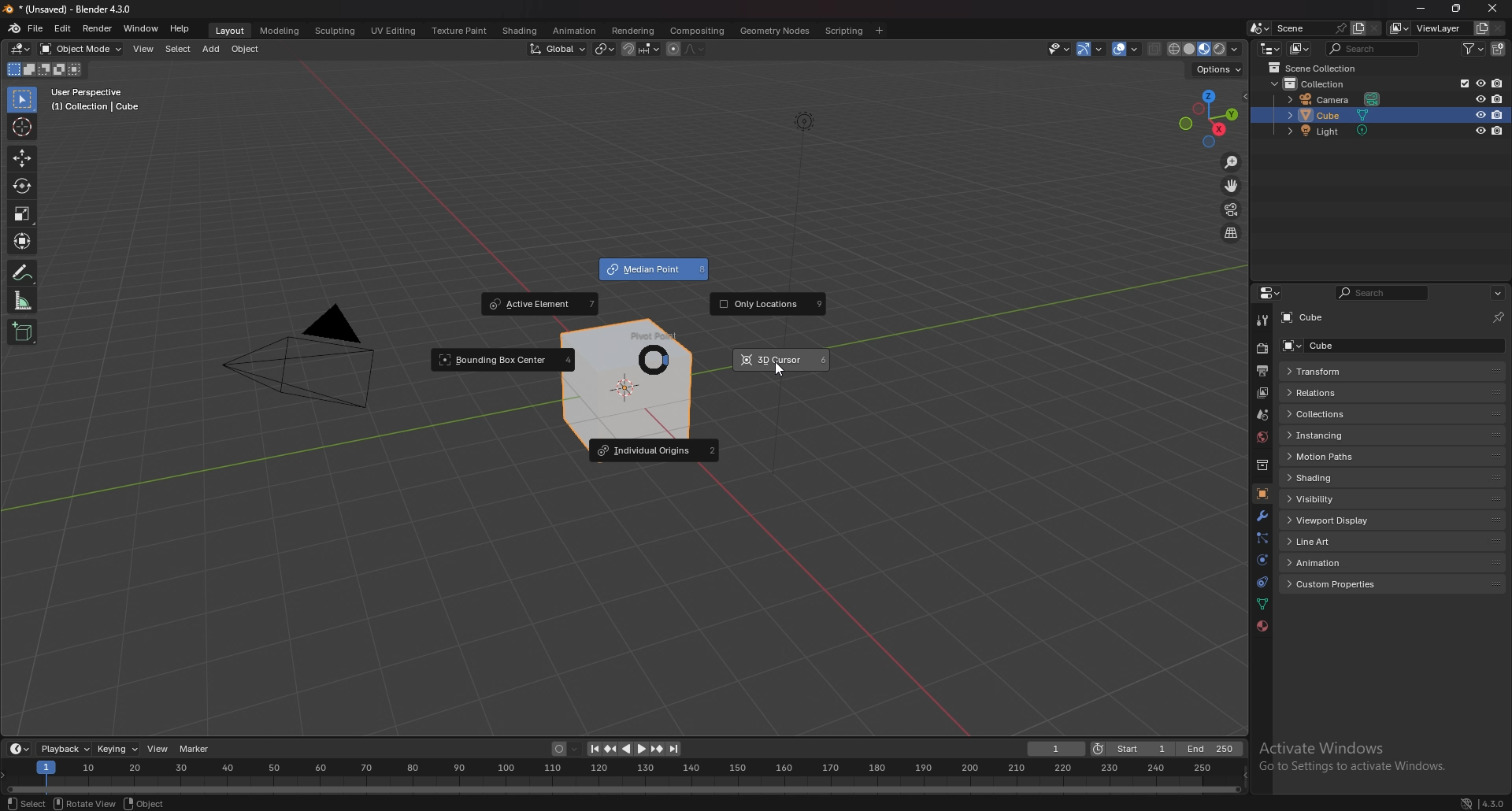 The height and width of the screenshot is (811, 1512). Describe the element at coordinates (20, 187) in the screenshot. I see `rotate` at that location.